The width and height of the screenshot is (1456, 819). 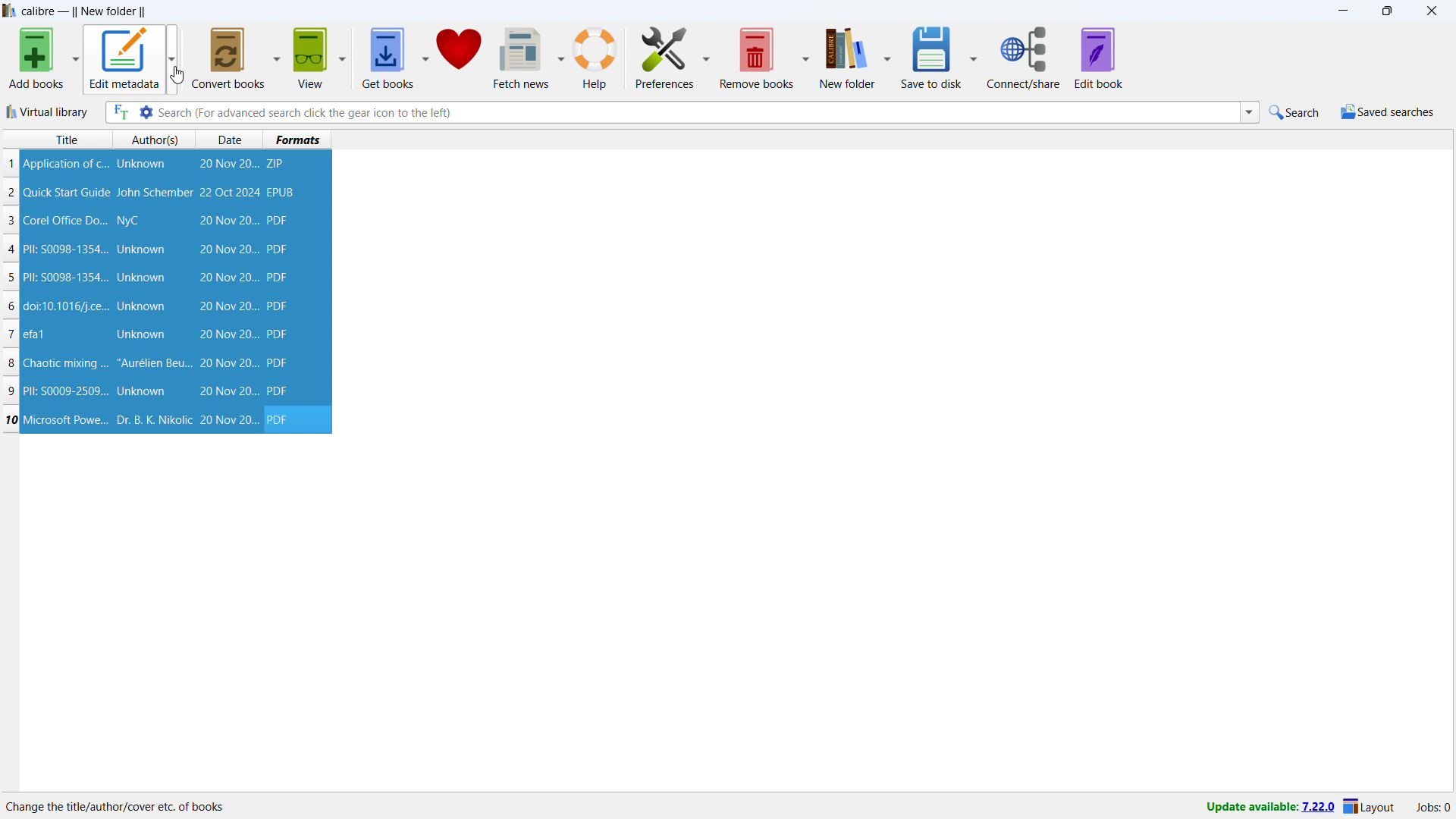 I want to click on Title, so click(x=67, y=140).